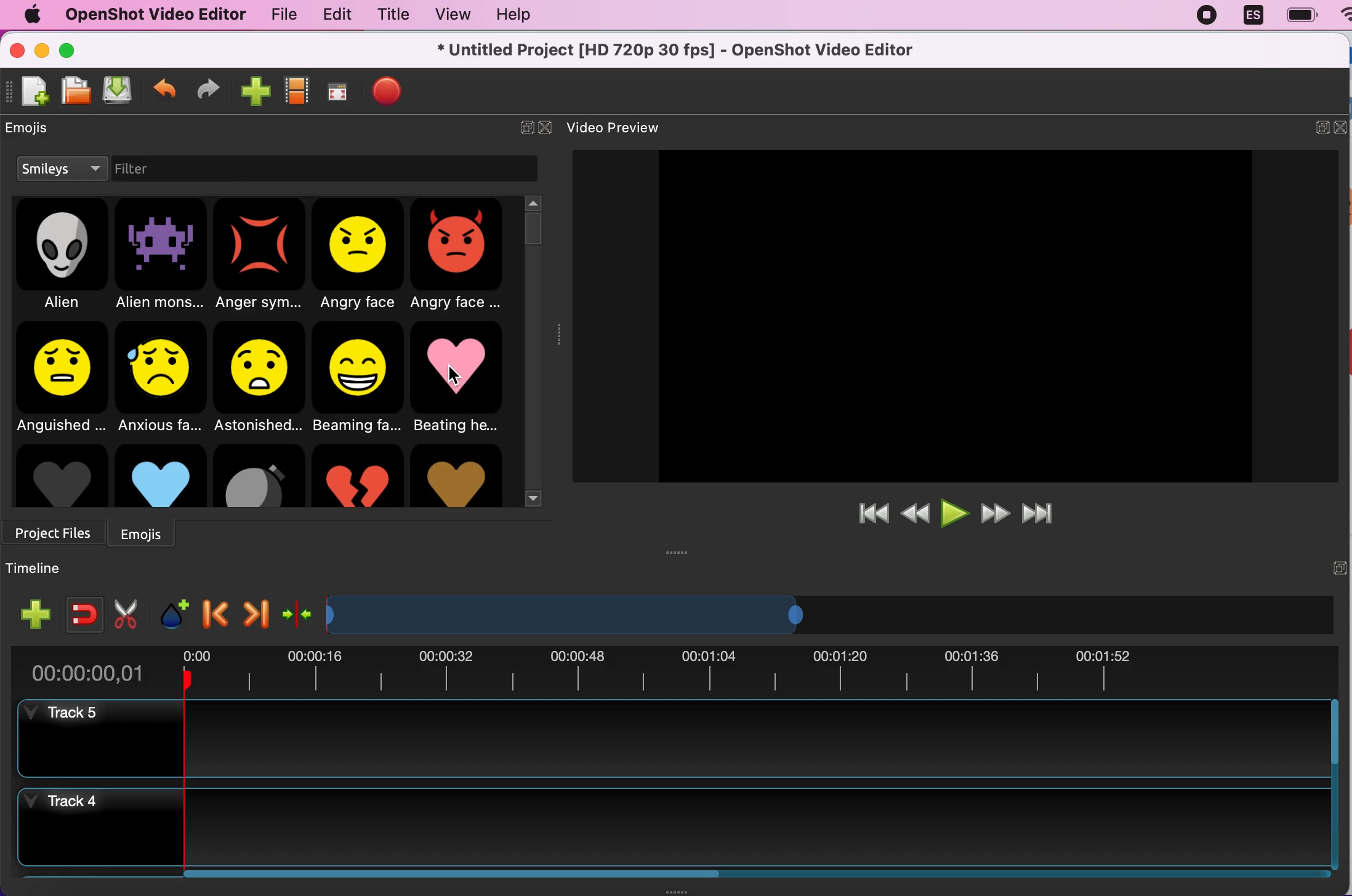  What do you see at coordinates (63, 257) in the screenshot?
I see `alien` at bounding box center [63, 257].